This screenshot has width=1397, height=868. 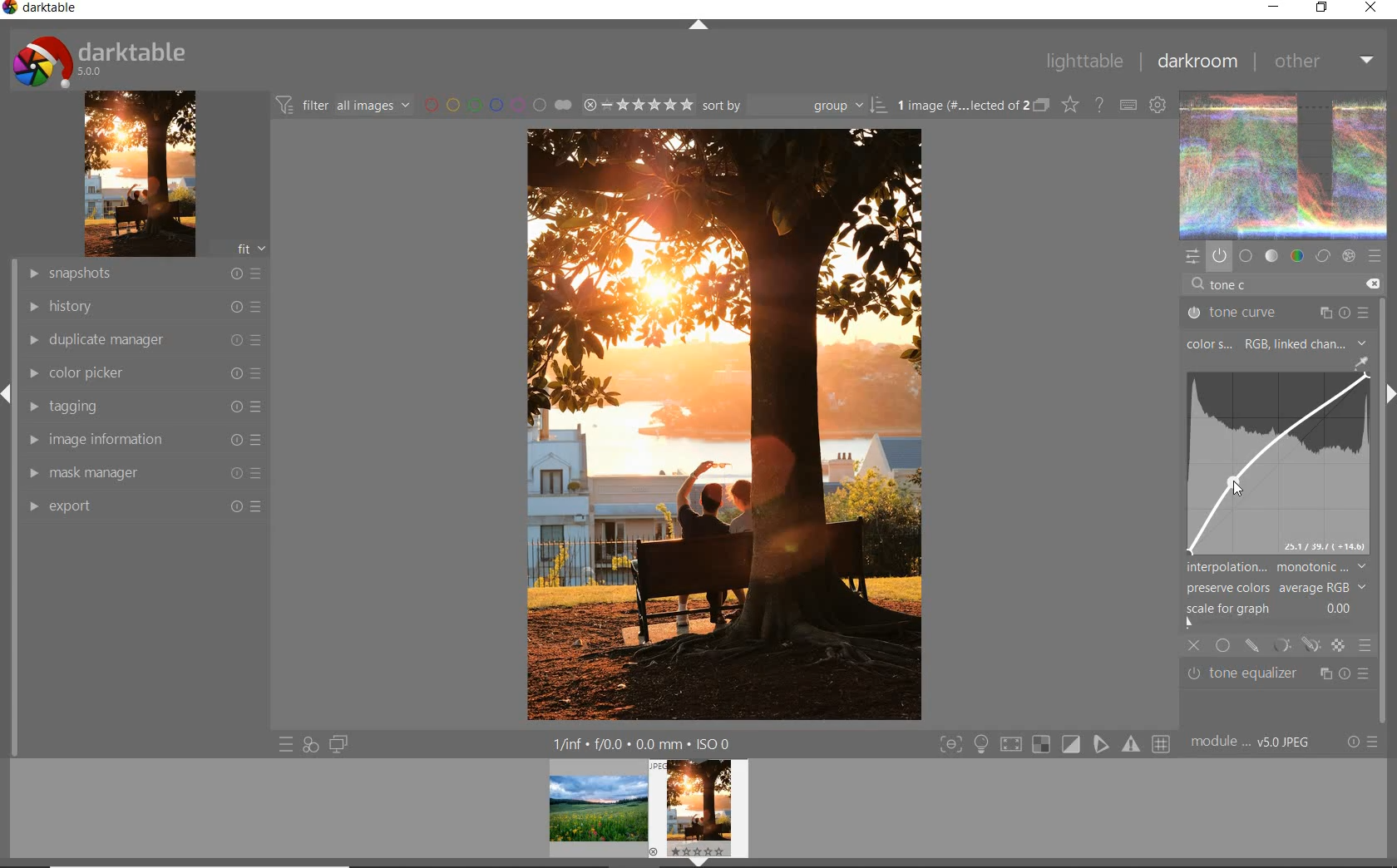 I want to click on cursor position, so click(x=1235, y=486).